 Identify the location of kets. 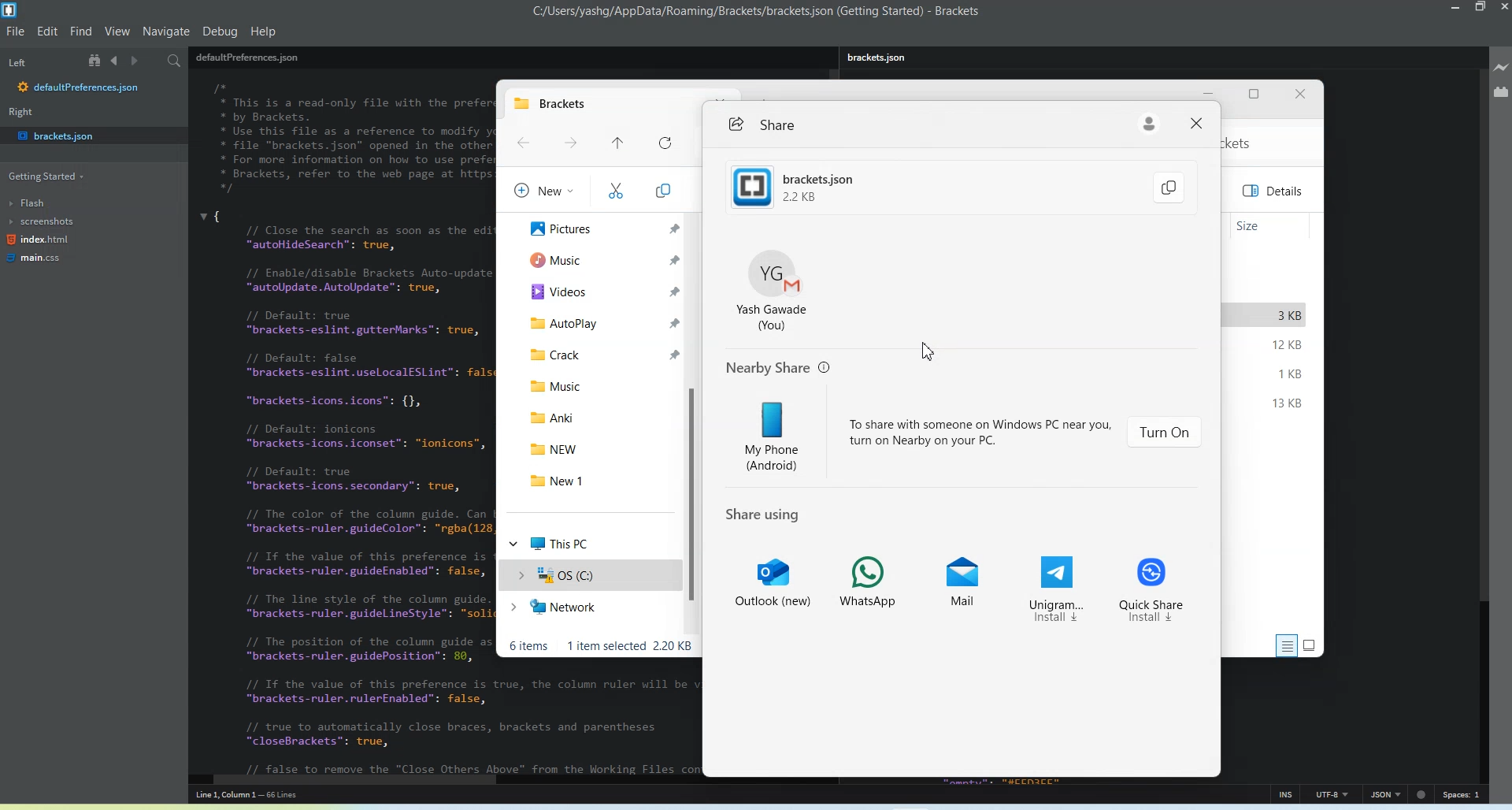
(1243, 143).